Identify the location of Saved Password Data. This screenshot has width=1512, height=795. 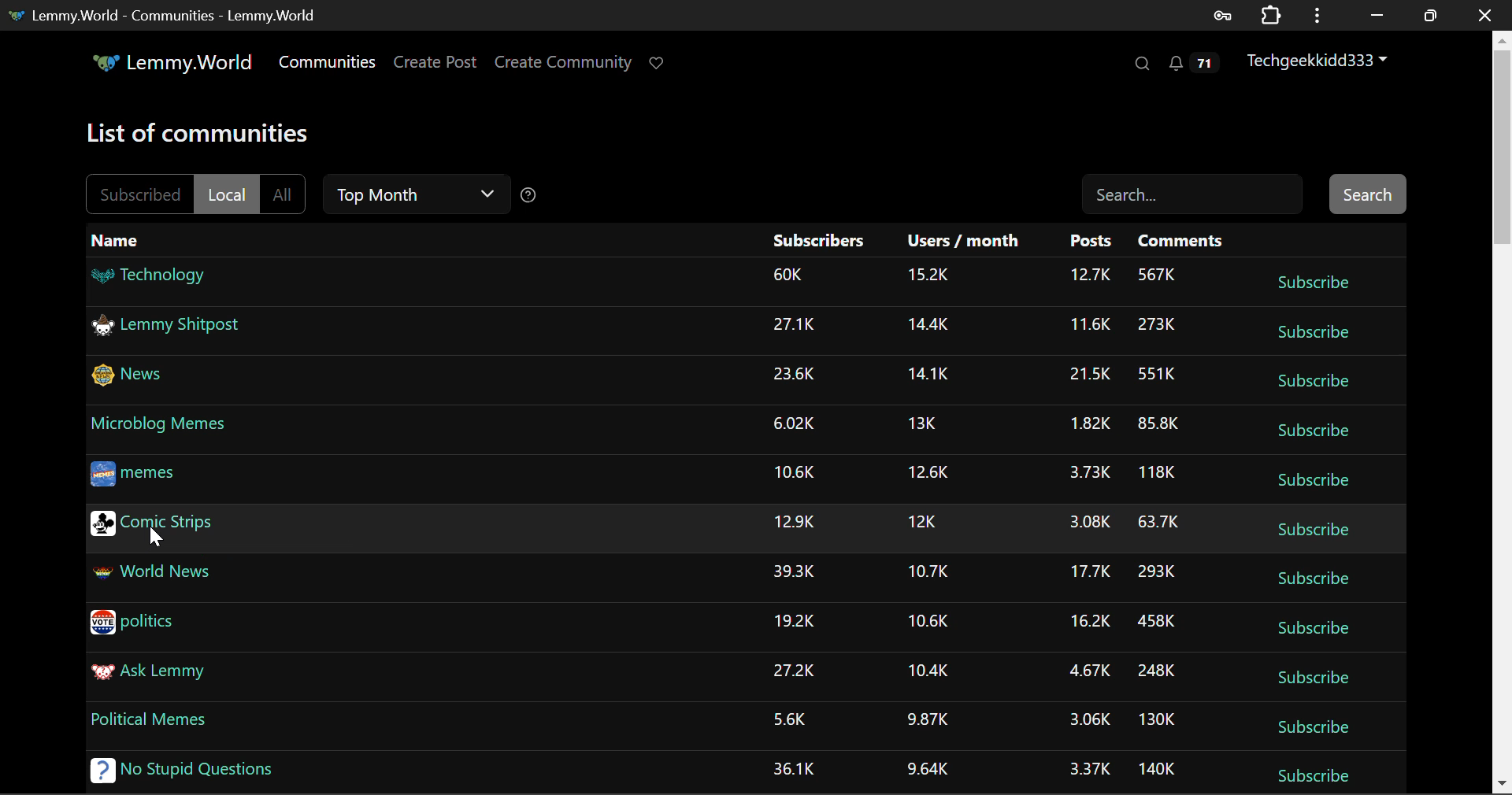
(1221, 15).